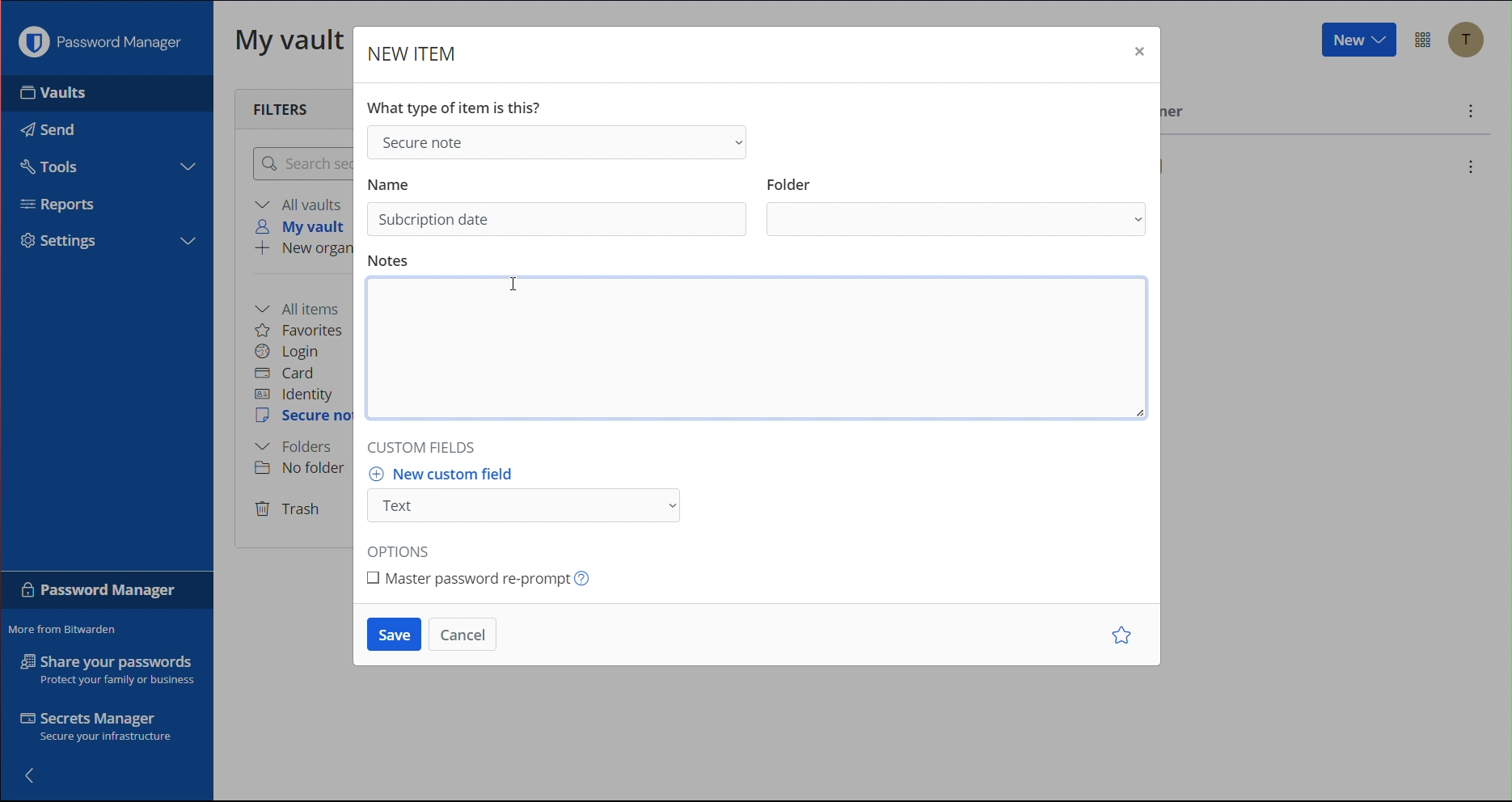 This screenshot has width=1512, height=802. Describe the element at coordinates (285, 374) in the screenshot. I see `Card` at that location.